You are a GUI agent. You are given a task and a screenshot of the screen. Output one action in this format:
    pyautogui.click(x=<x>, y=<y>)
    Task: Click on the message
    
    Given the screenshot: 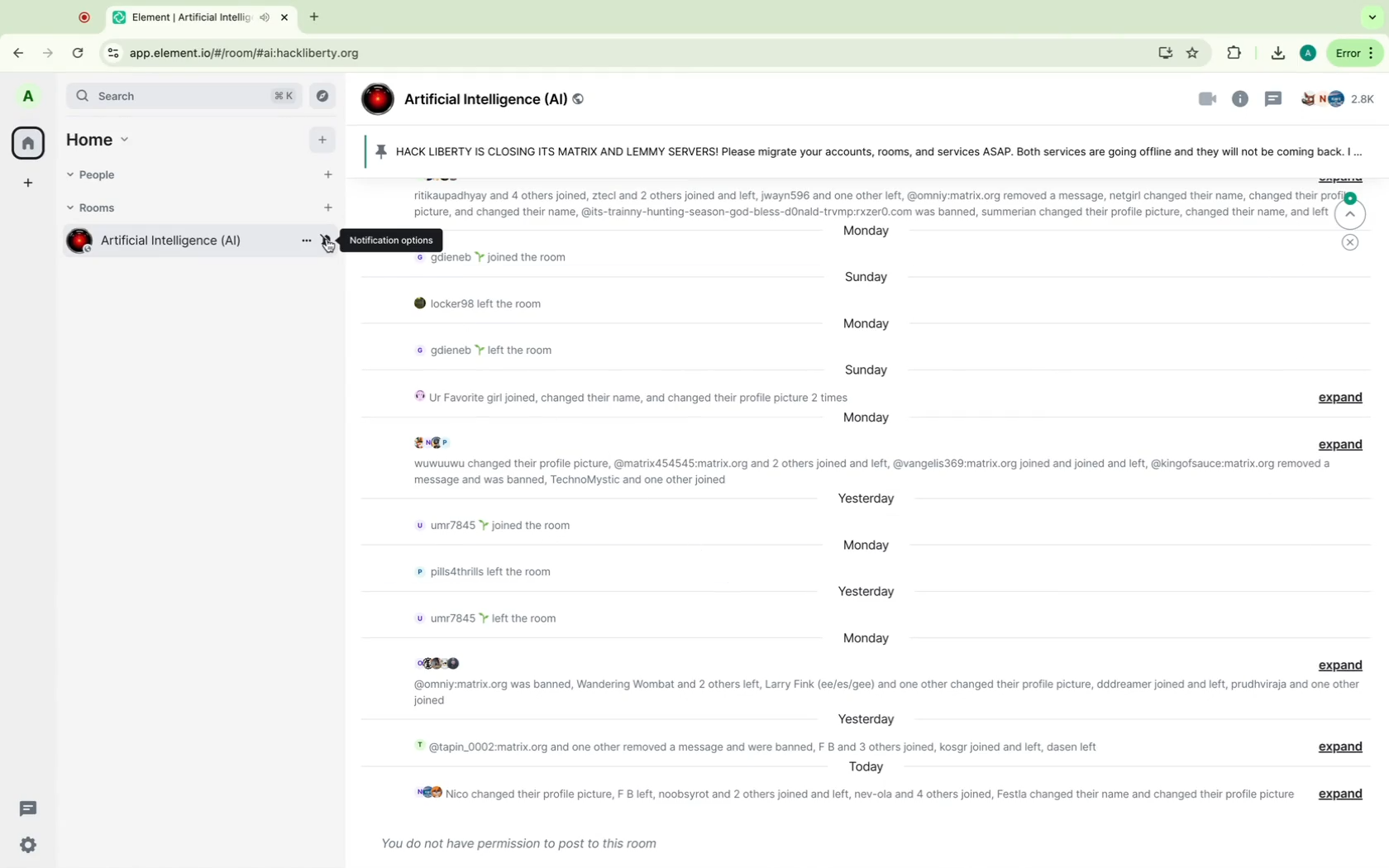 What is the action you would take?
    pyautogui.click(x=1338, y=748)
    